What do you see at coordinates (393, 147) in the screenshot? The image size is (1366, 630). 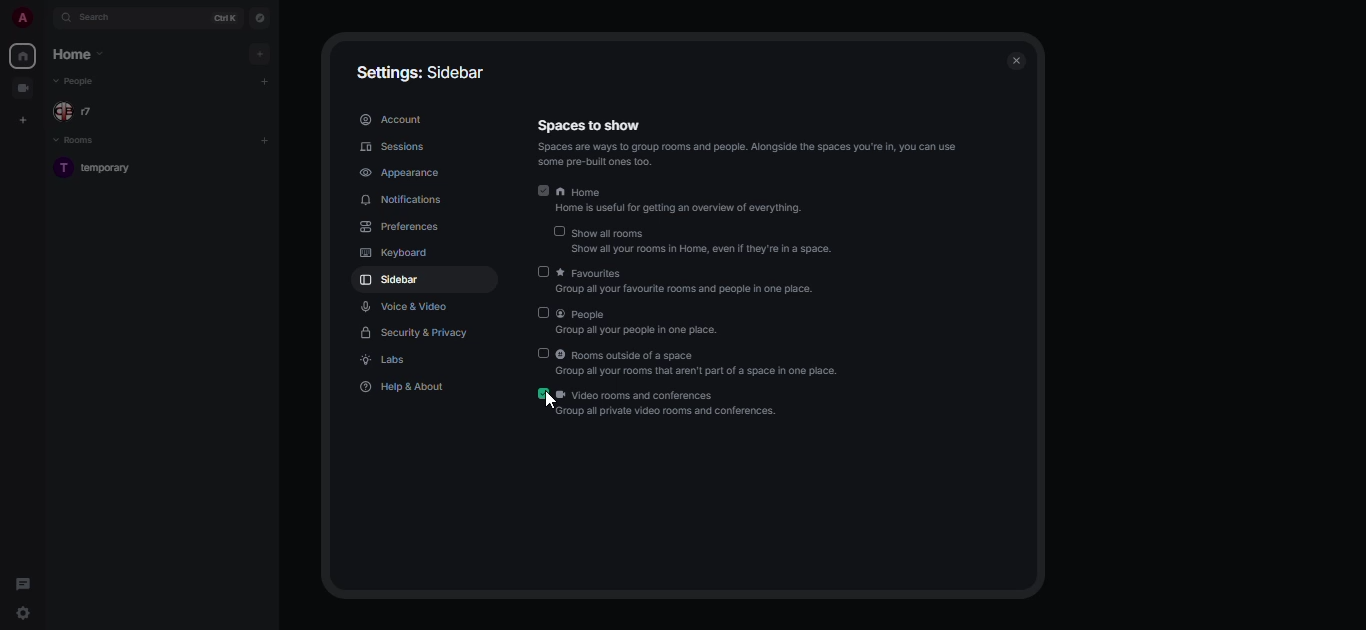 I see `sessions` at bounding box center [393, 147].